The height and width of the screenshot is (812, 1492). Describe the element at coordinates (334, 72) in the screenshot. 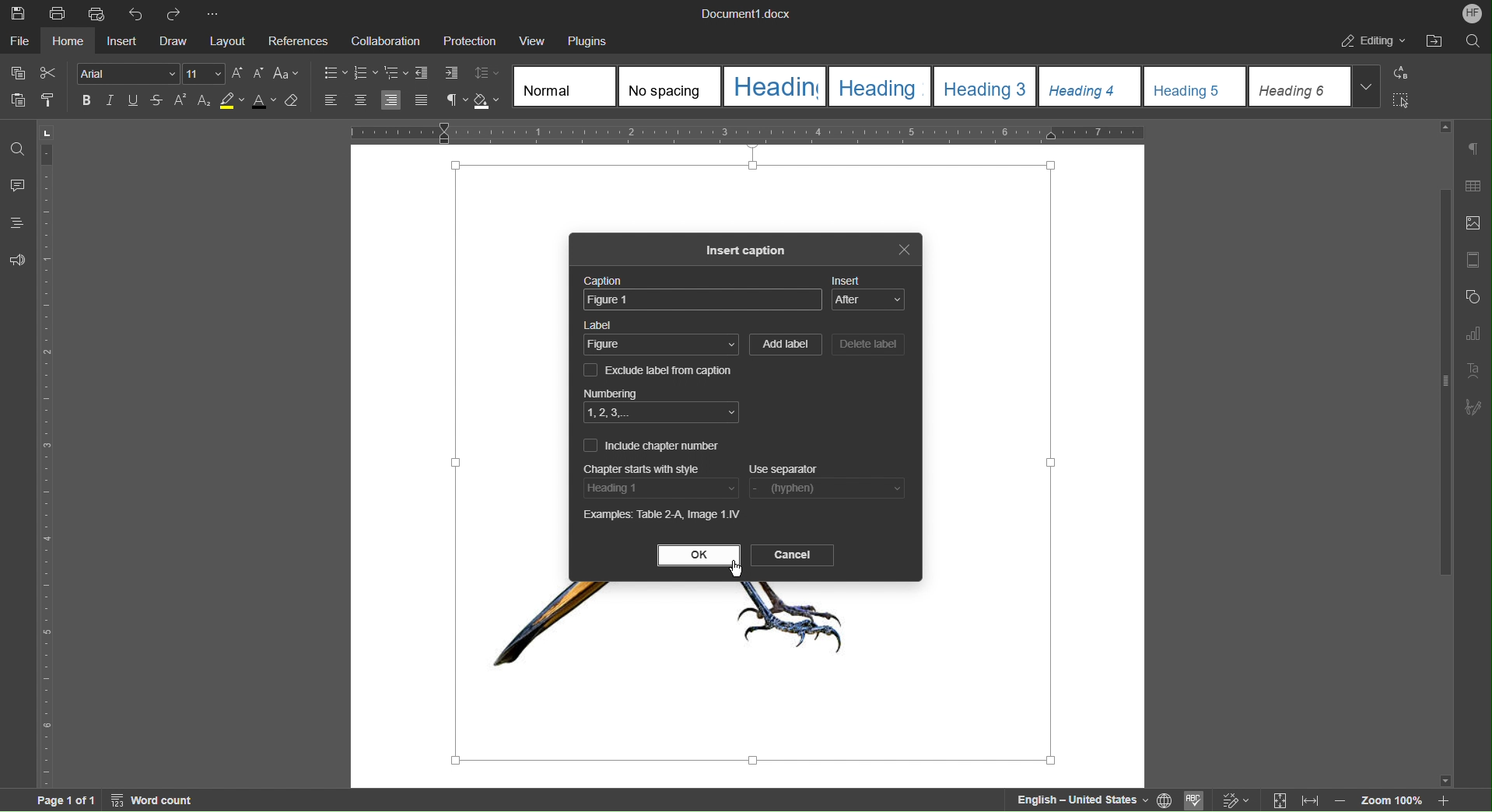

I see `Bullet List` at that location.